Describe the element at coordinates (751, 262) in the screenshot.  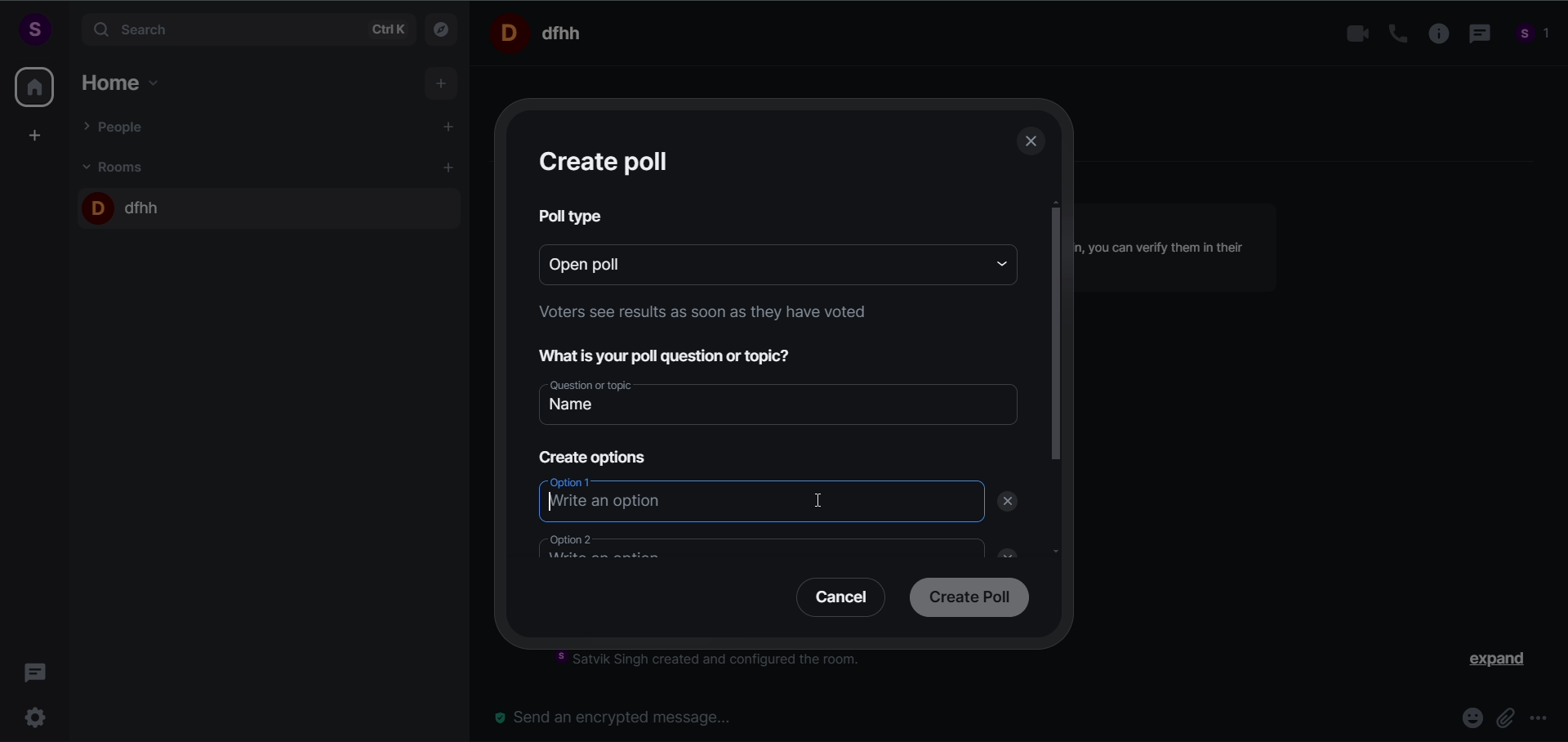
I see `open poll` at that location.